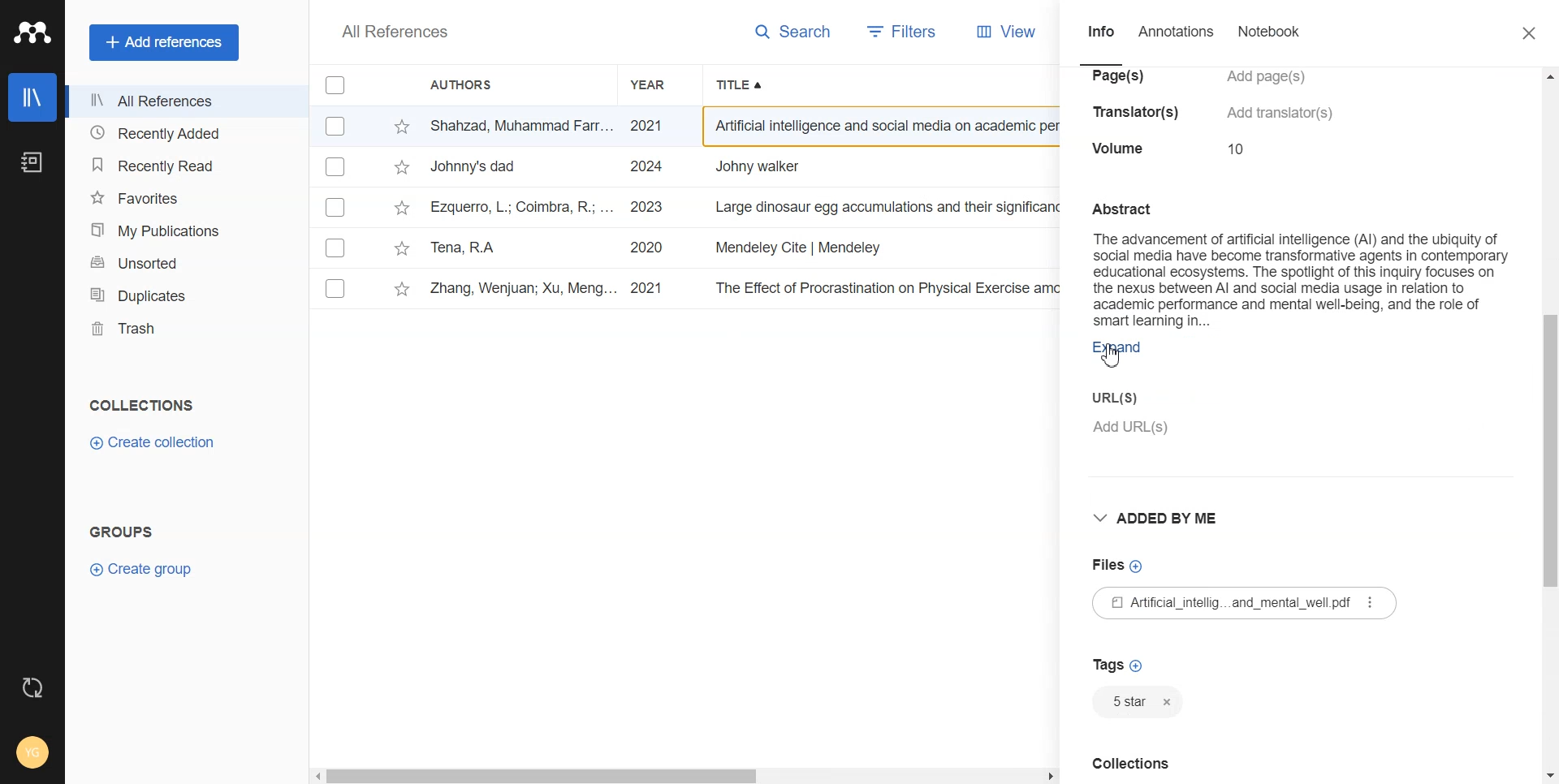 The image size is (1559, 784). I want to click on star, so click(403, 248).